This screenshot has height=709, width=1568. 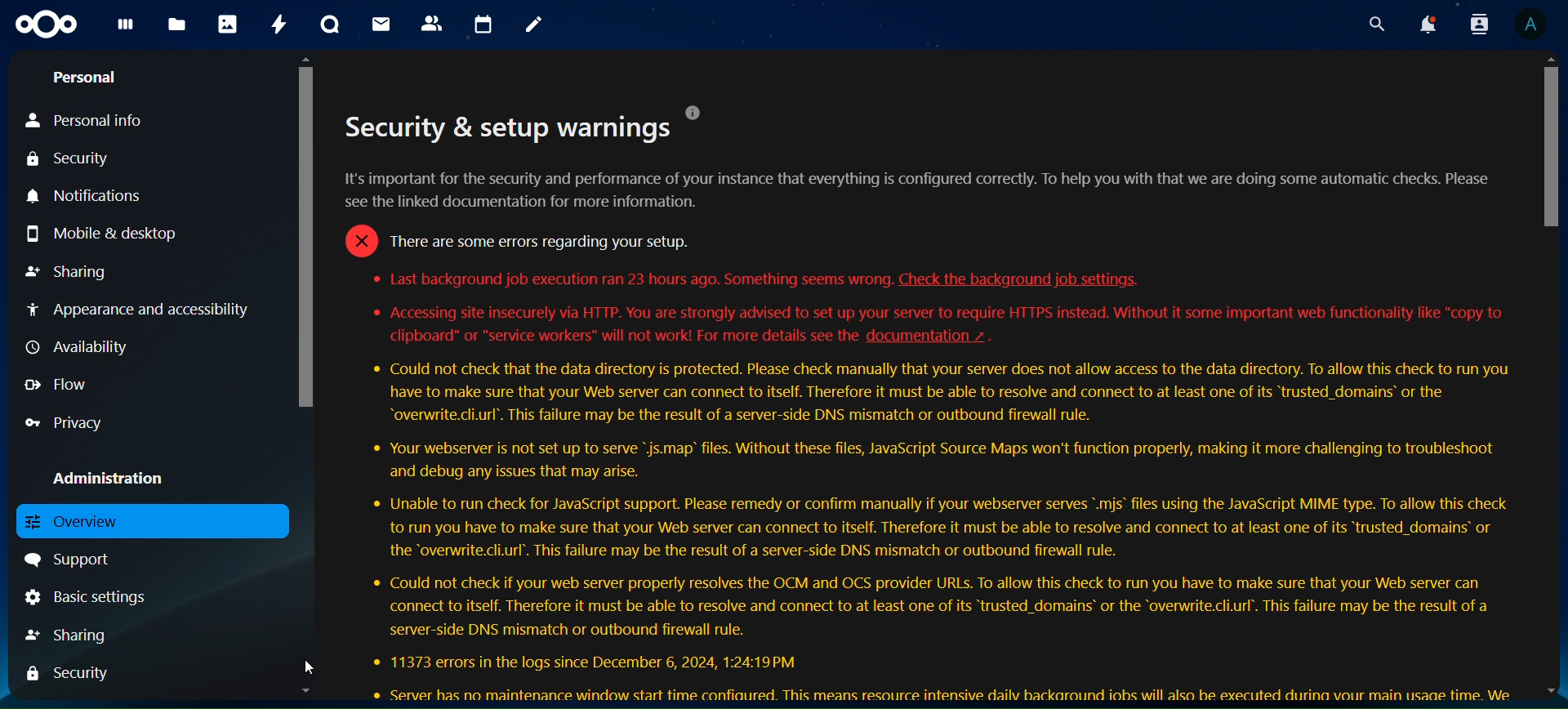 What do you see at coordinates (1548, 377) in the screenshot?
I see `Scrollbar` at bounding box center [1548, 377].